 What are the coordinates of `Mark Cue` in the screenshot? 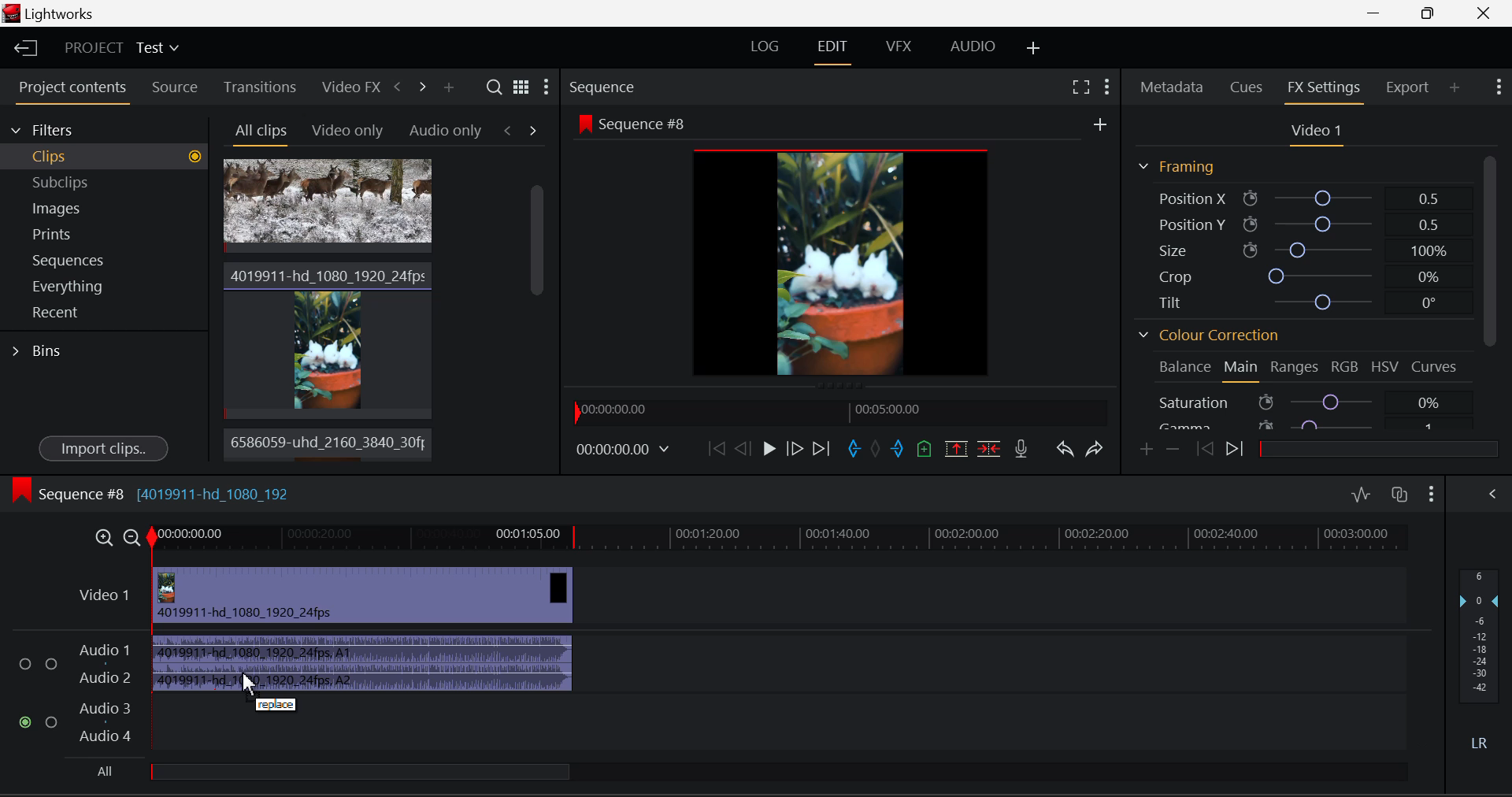 It's located at (925, 447).